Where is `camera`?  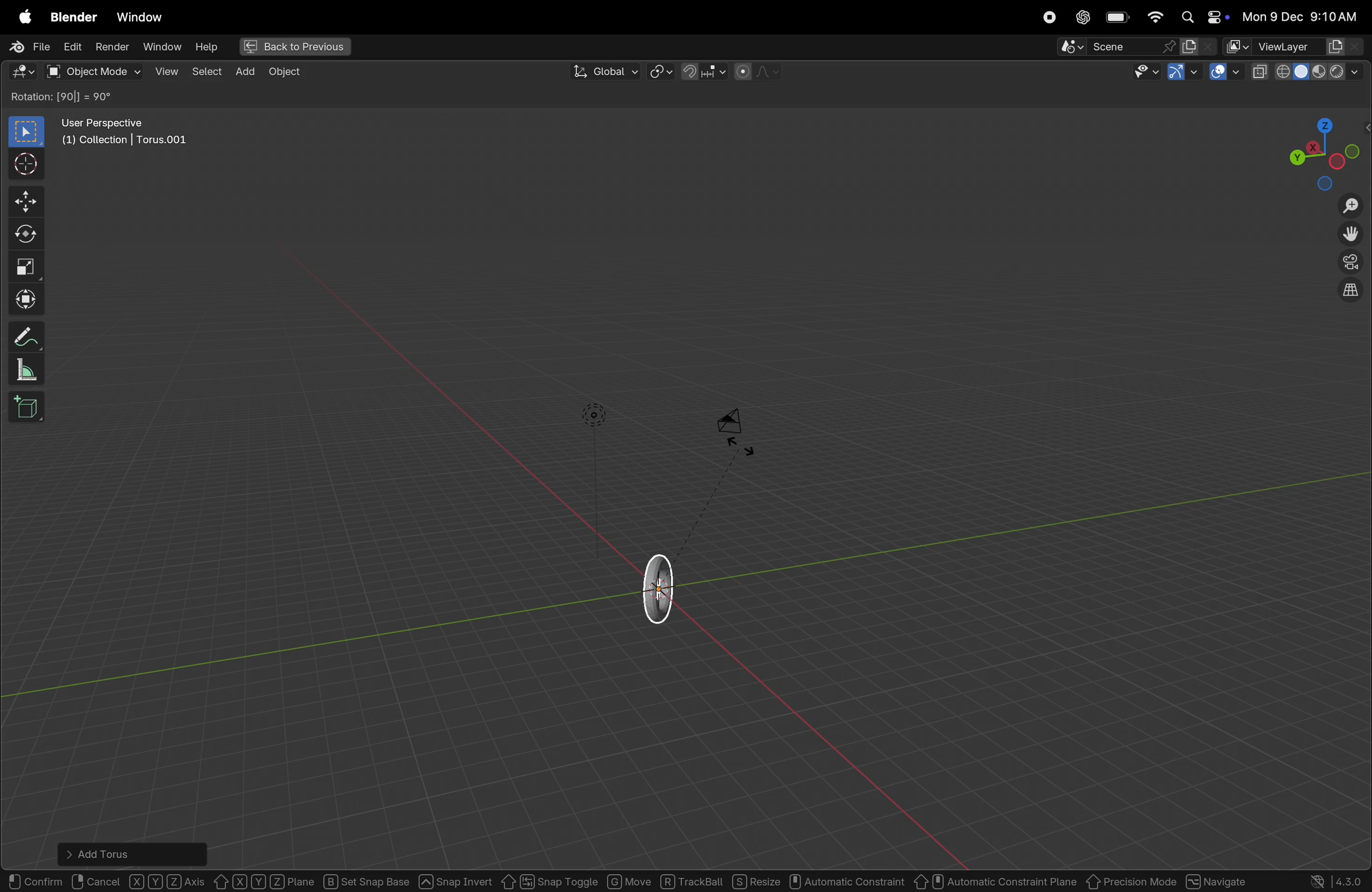
camera is located at coordinates (738, 429).